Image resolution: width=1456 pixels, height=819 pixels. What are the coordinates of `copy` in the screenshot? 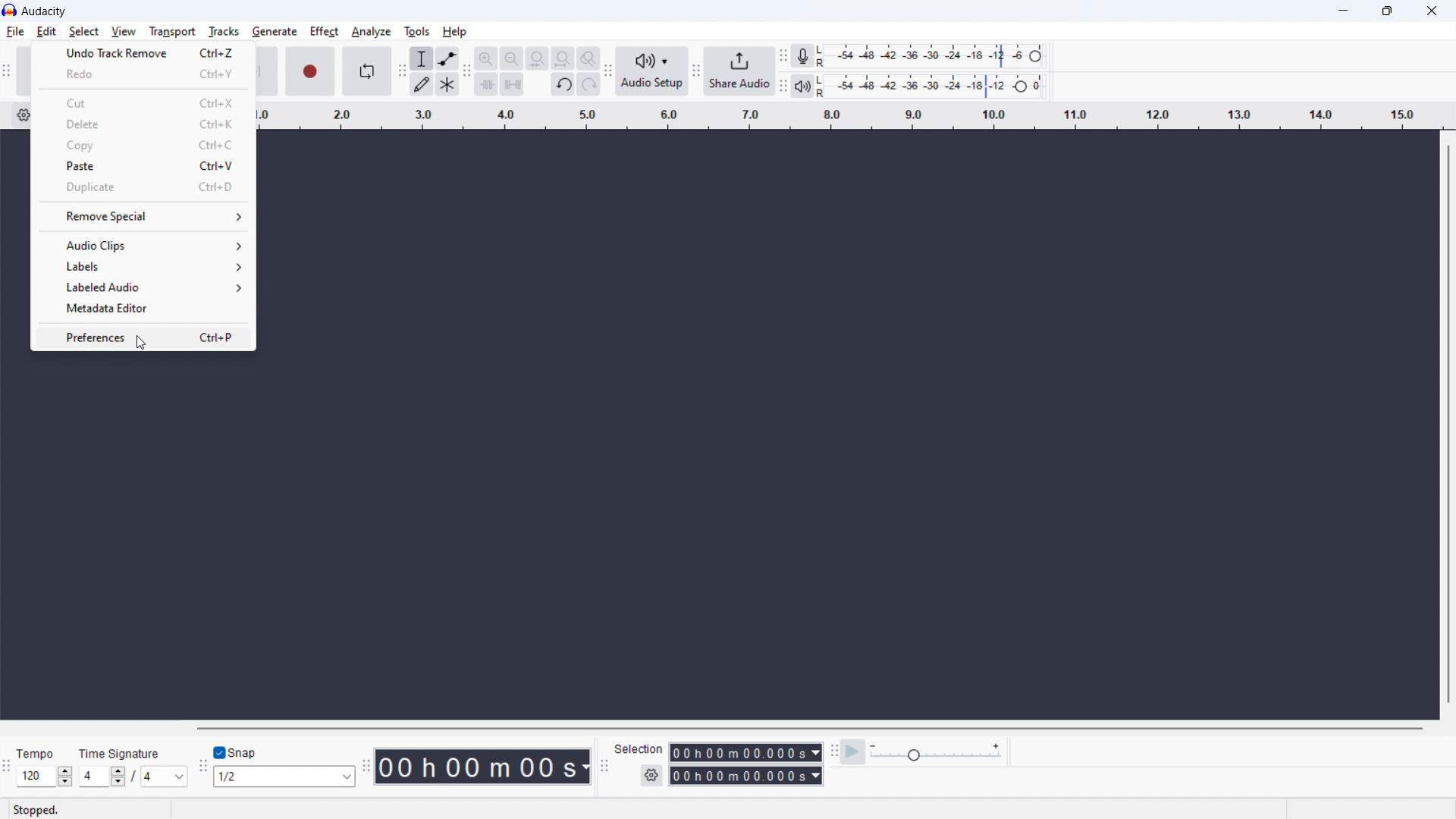 It's located at (141, 145).